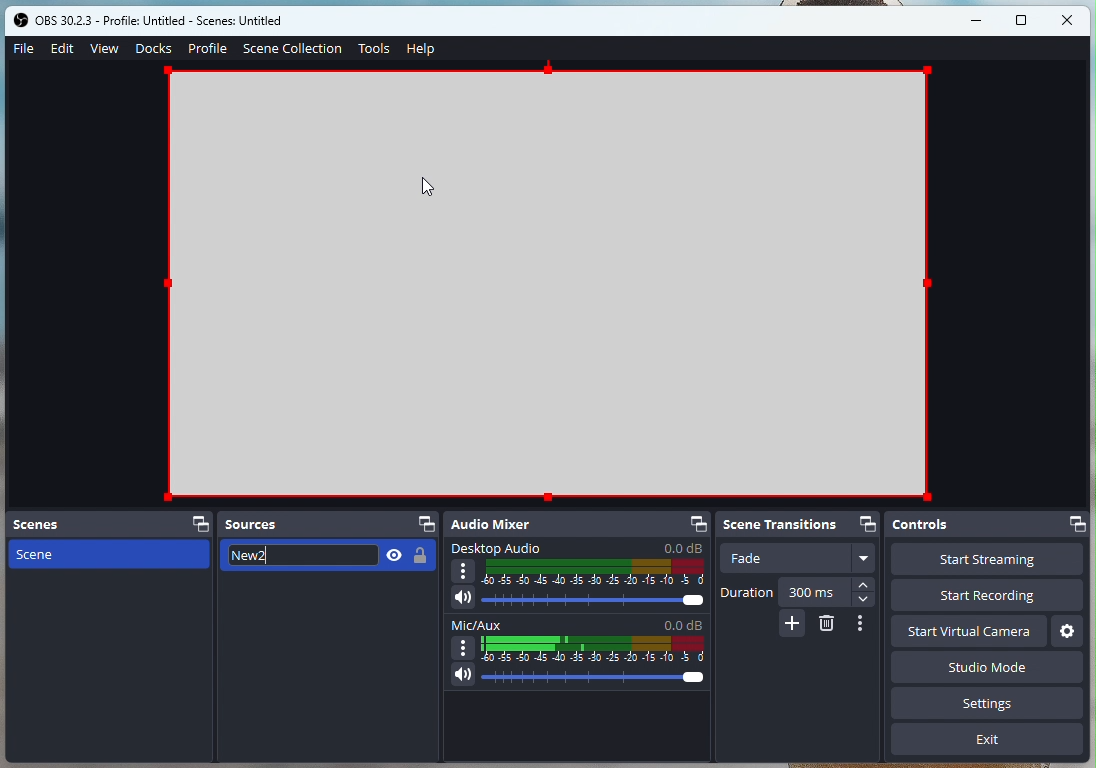 The image size is (1096, 768). What do you see at coordinates (430, 190) in the screenshot?
I see `cursor` at bounding box center [430, 190].